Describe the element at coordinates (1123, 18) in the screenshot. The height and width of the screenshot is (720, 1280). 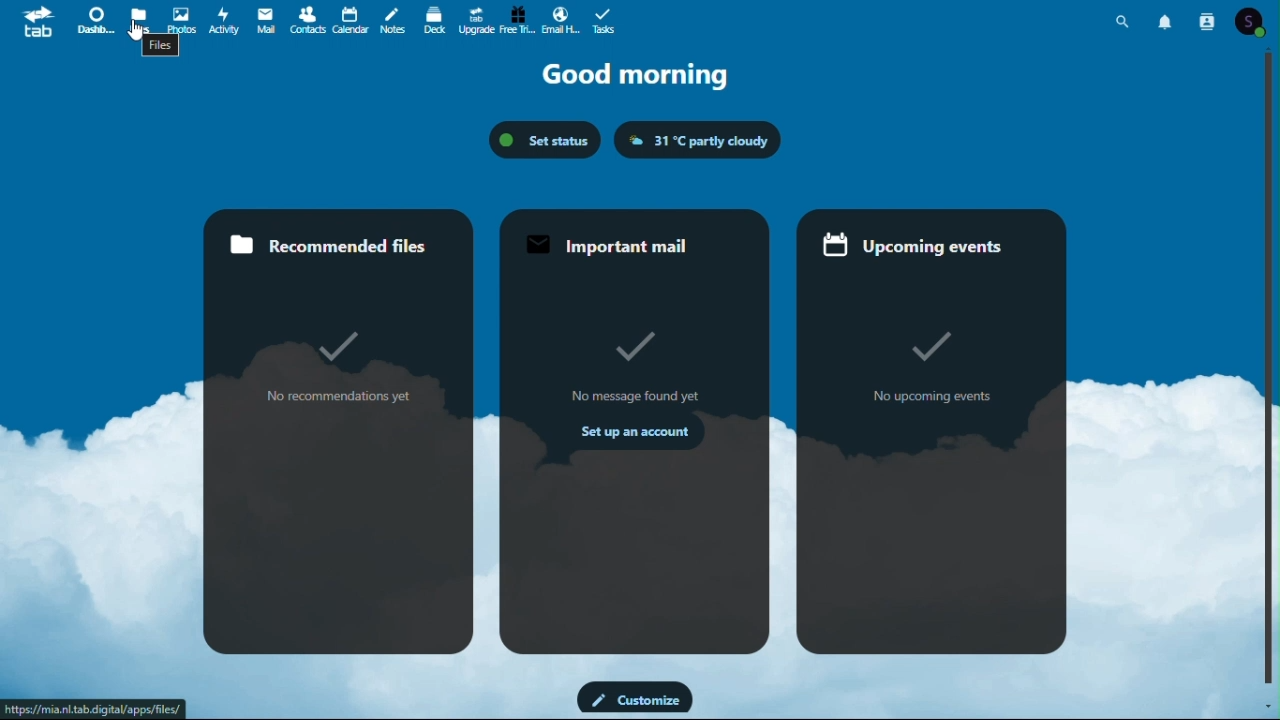
I see `Search ` at that location.